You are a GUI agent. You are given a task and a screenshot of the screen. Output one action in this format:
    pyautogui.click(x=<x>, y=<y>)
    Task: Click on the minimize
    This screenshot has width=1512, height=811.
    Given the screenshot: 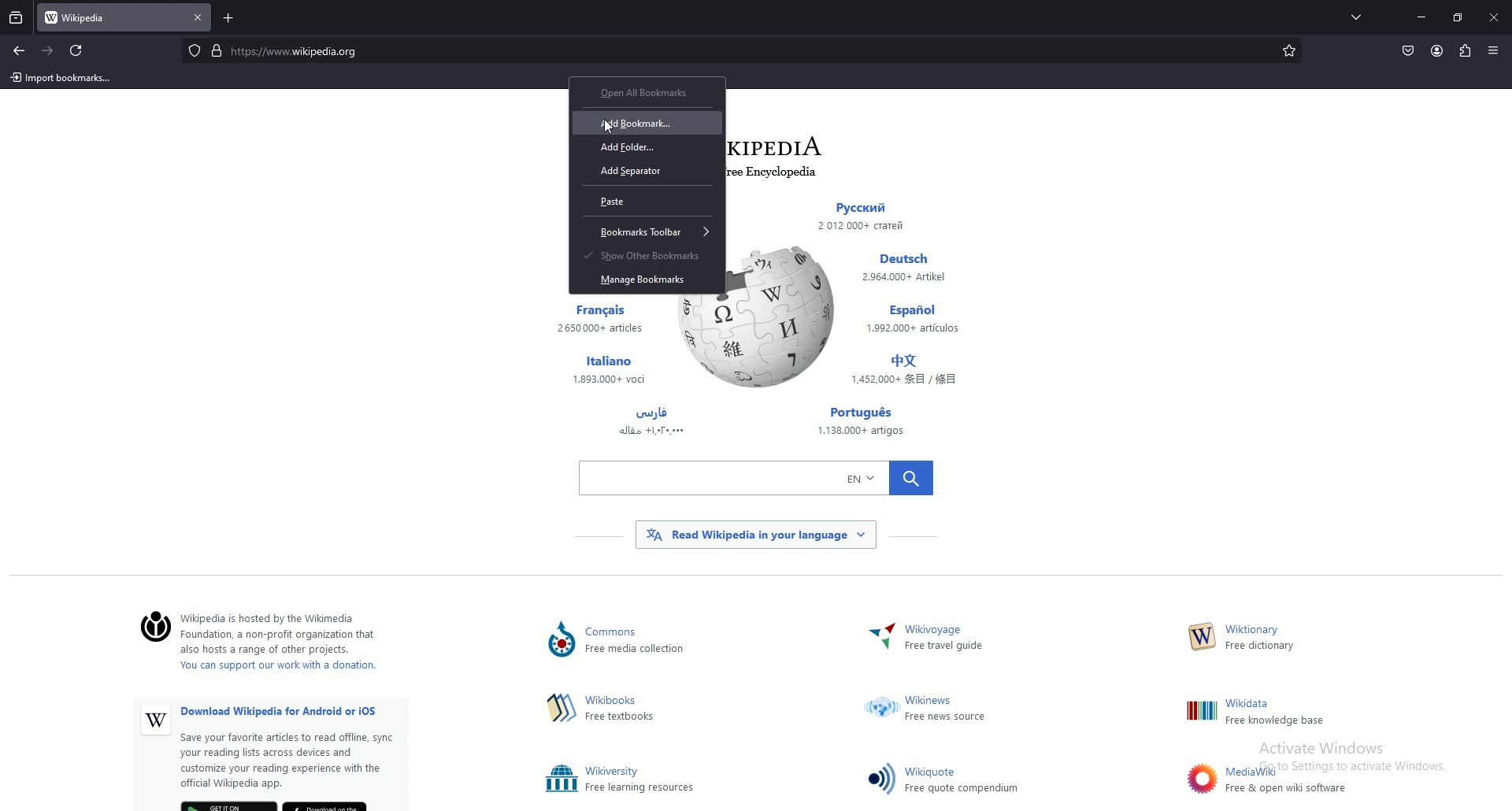 What is the action you would take?
    pyautogui.click(x=1421, y=17)
    